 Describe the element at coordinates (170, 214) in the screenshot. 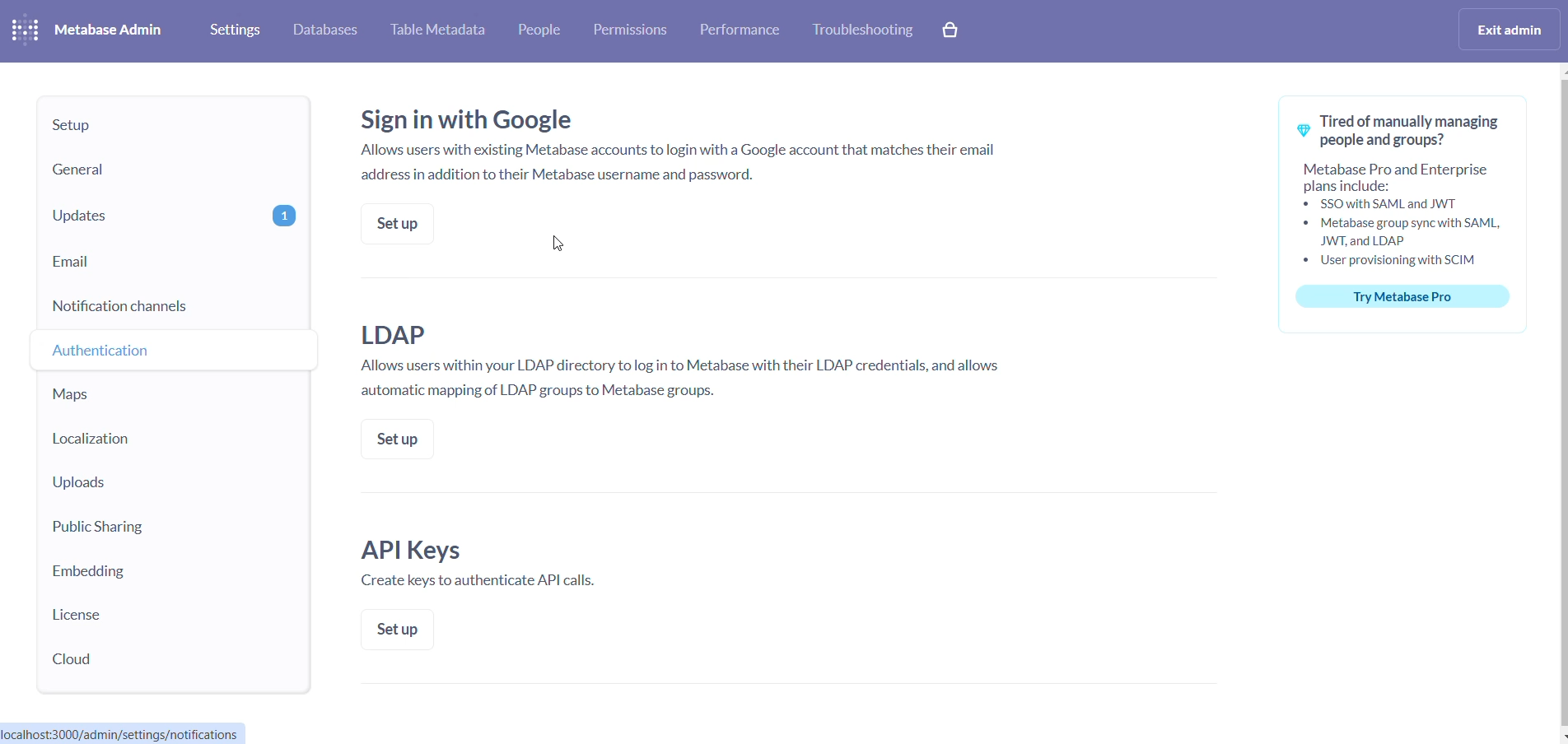

I see `updates` at that location.